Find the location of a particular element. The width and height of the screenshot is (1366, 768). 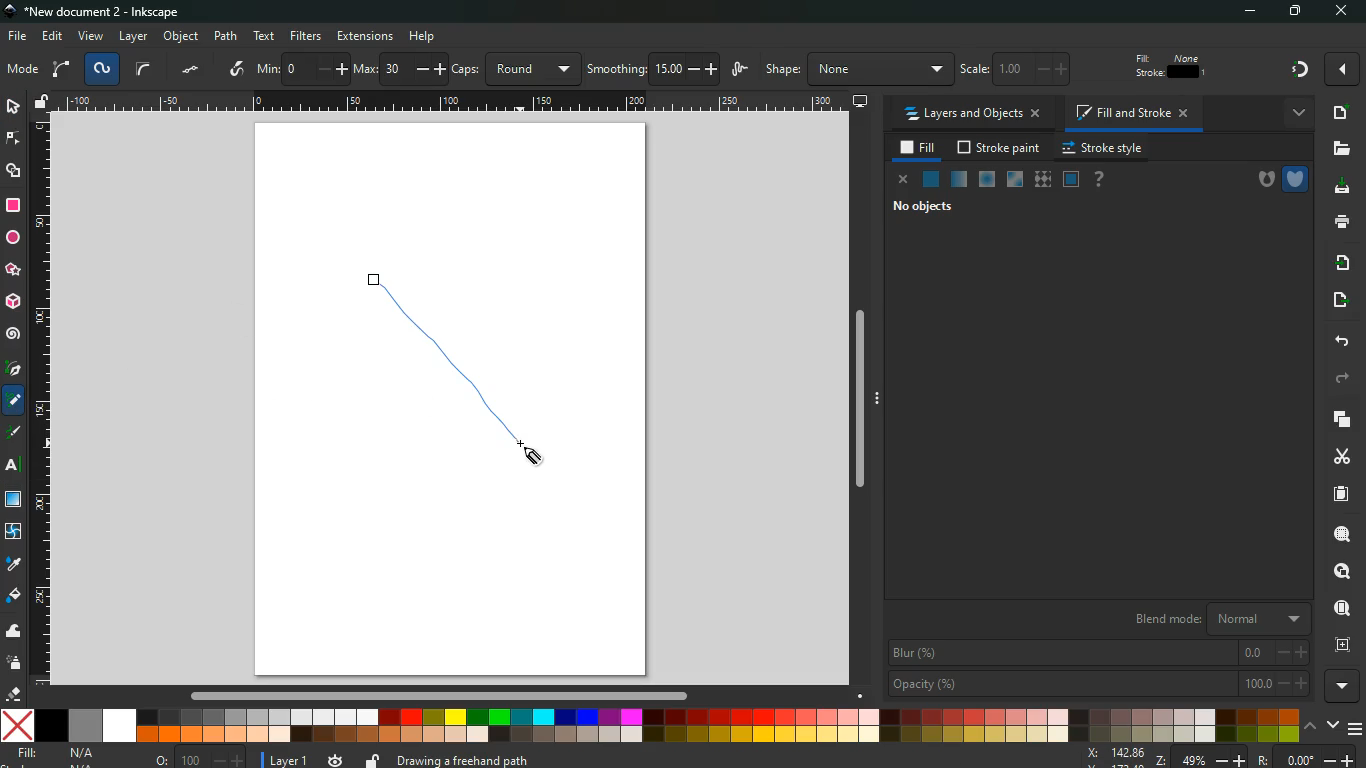

min is located at coordinates (302, 69).